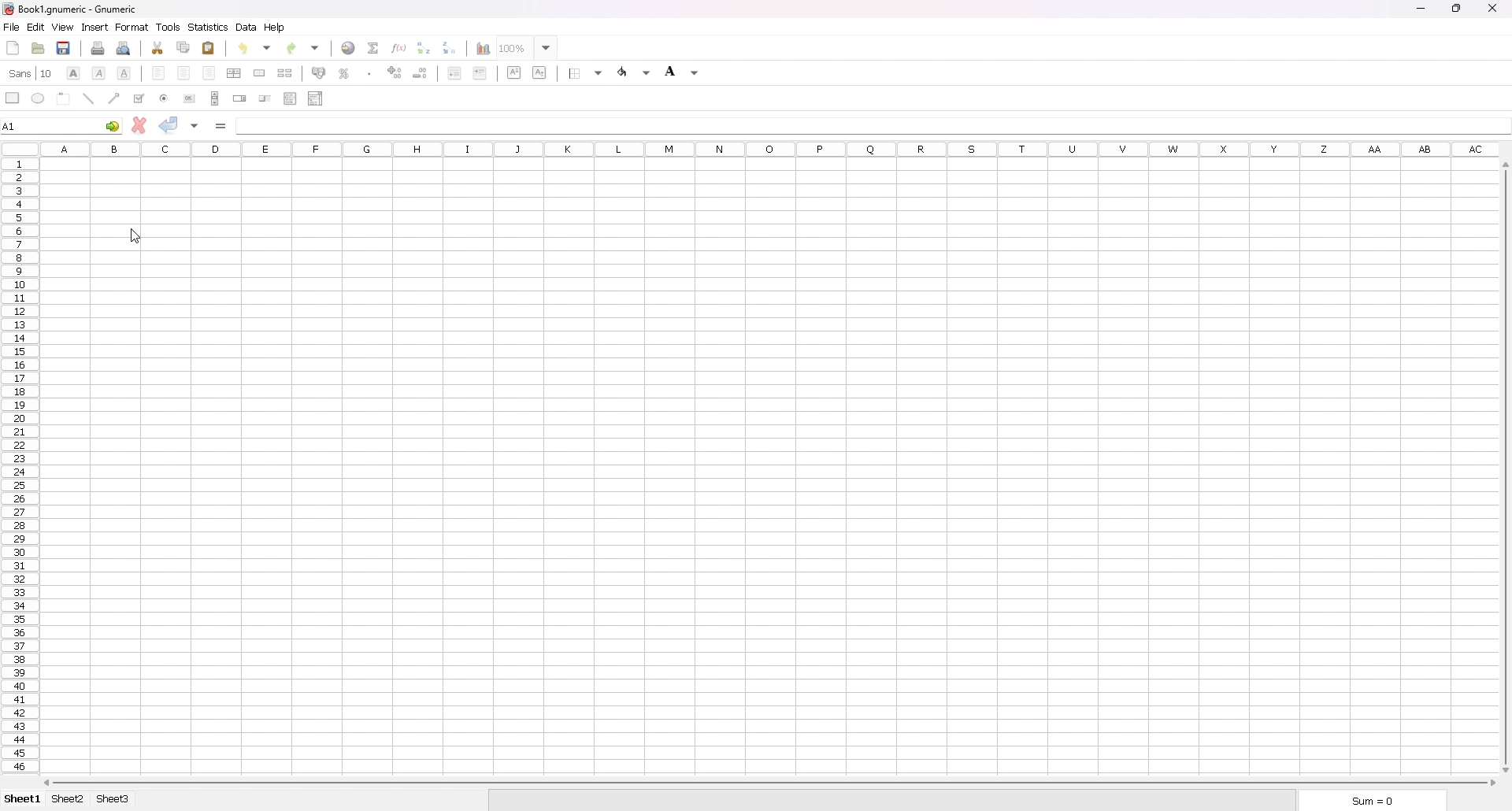  Describe the element at coordinates (449, 47) in the screenshot. I see `sort descending` at that location.